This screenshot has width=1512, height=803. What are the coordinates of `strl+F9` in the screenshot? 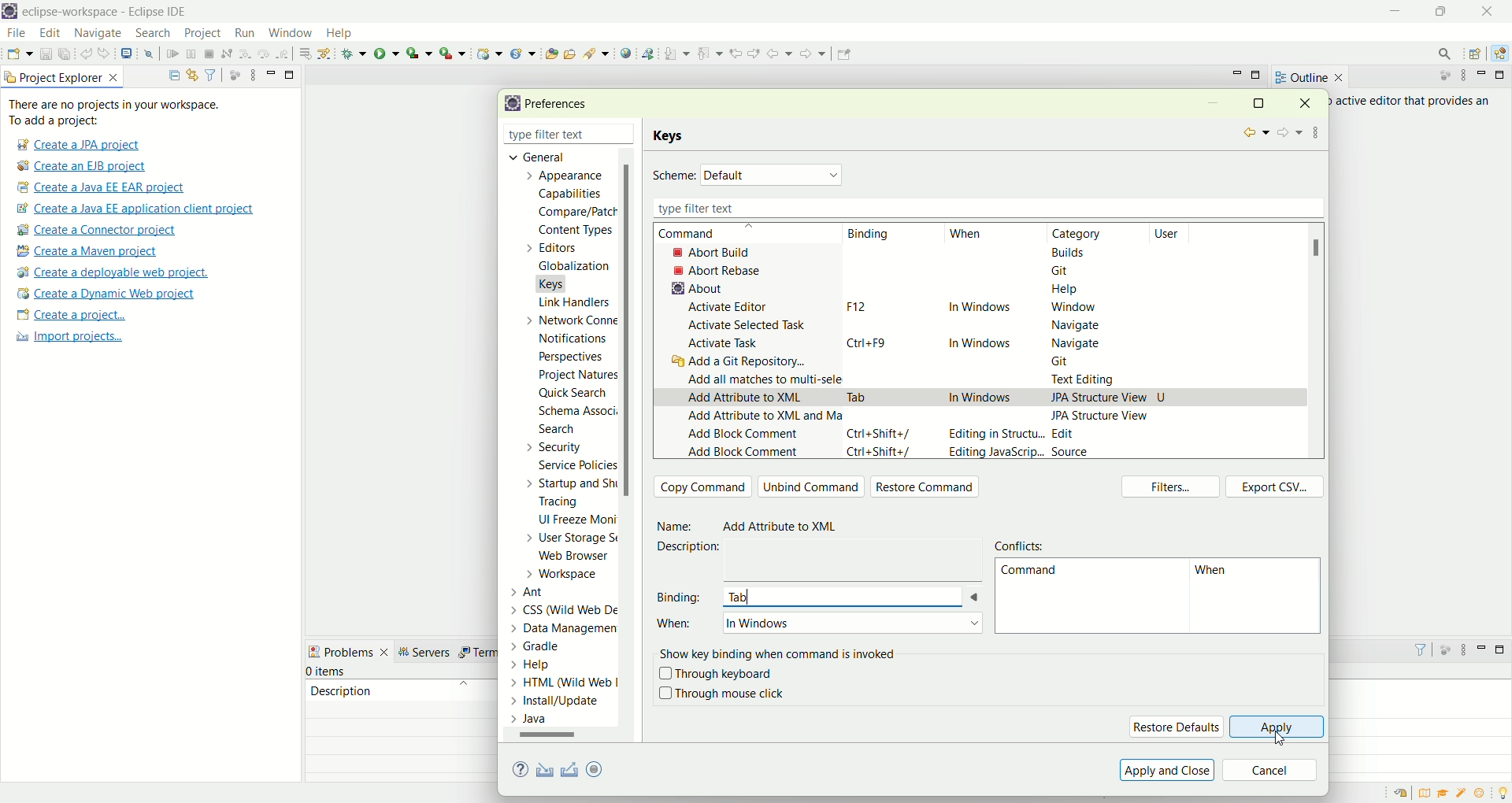 It's located at (872, 342).